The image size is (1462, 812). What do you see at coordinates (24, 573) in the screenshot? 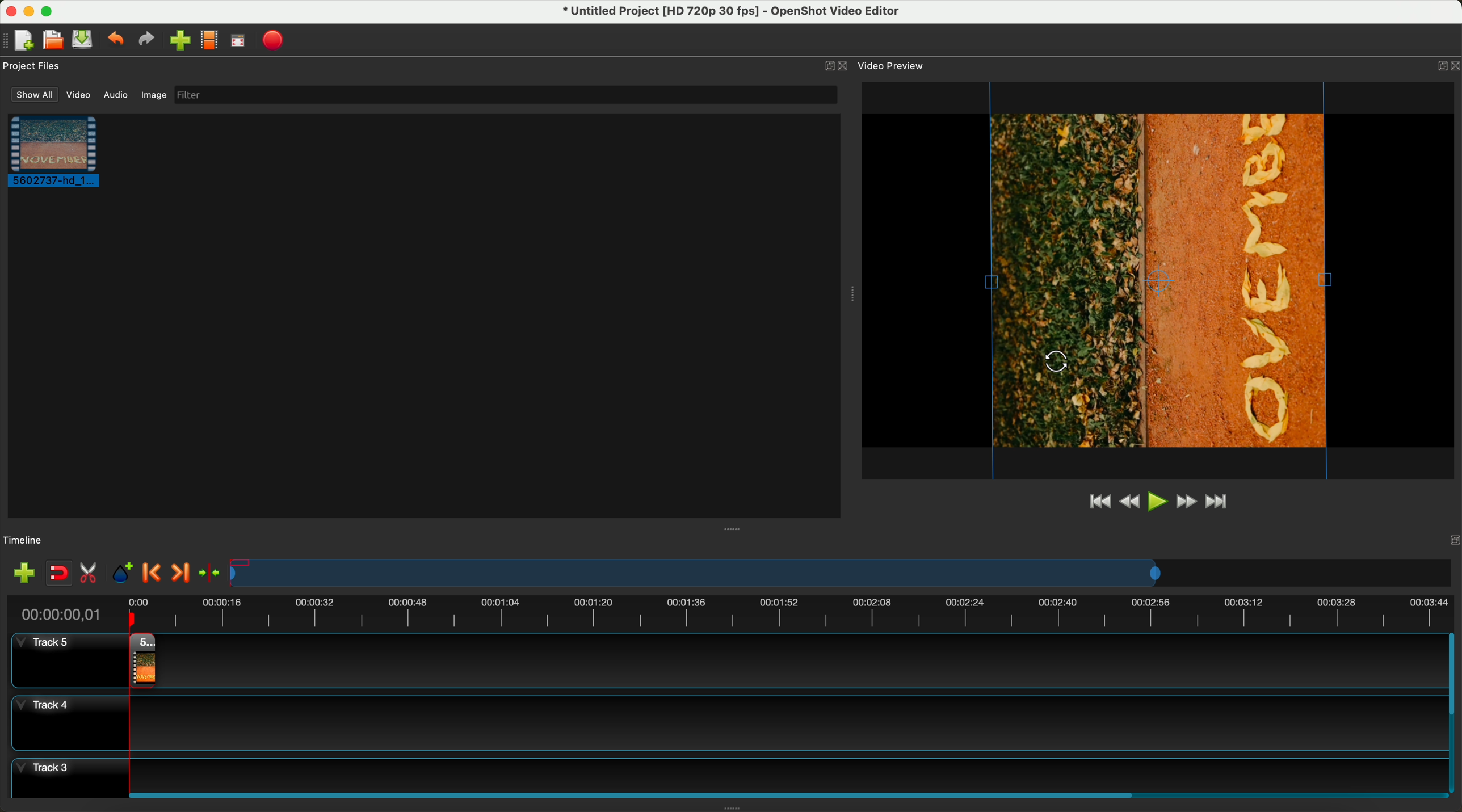
I see `add track` at bounding box center [24, 573].